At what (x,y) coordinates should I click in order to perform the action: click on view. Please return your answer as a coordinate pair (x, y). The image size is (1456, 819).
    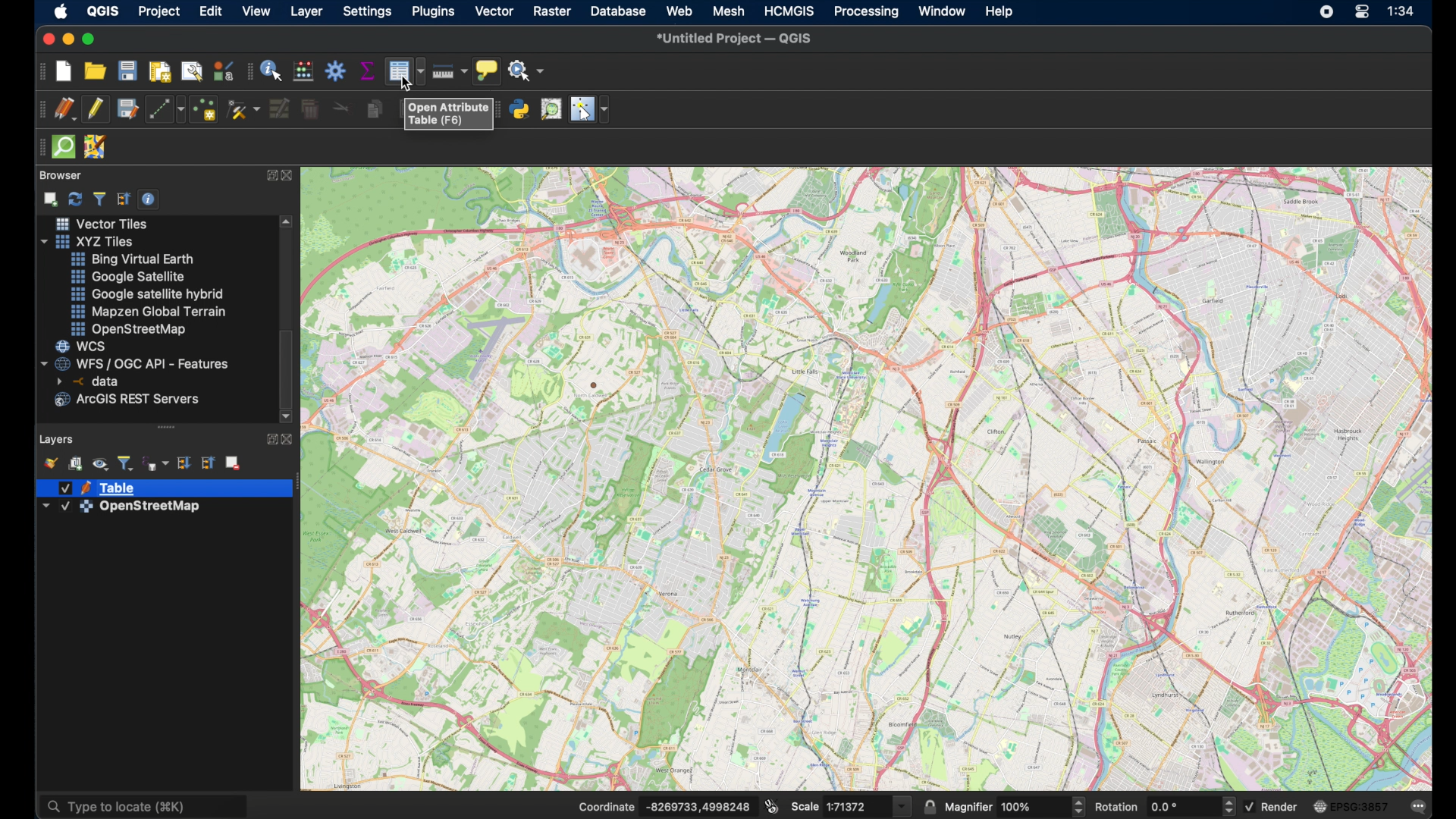
    Looking at the image, I should click on (254, 11).